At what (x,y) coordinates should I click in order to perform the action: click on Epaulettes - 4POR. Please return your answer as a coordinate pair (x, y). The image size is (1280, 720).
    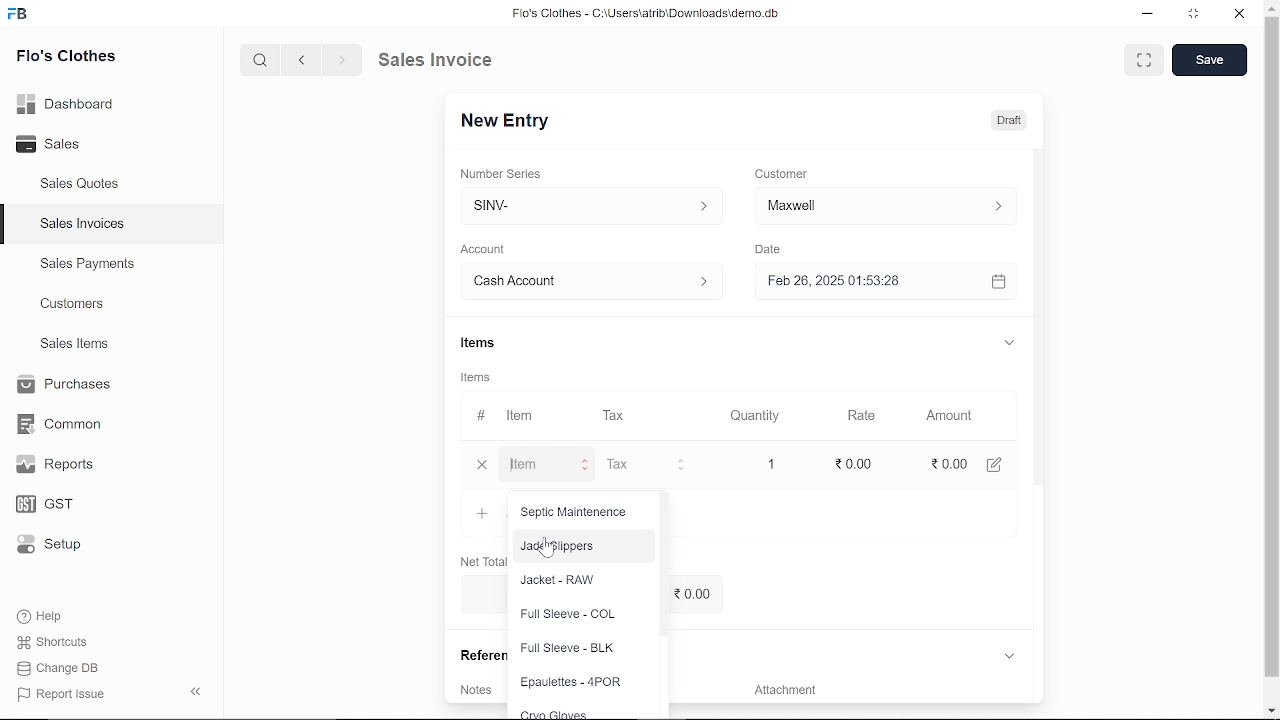
    Looking at the image, I should click on (585, 685).